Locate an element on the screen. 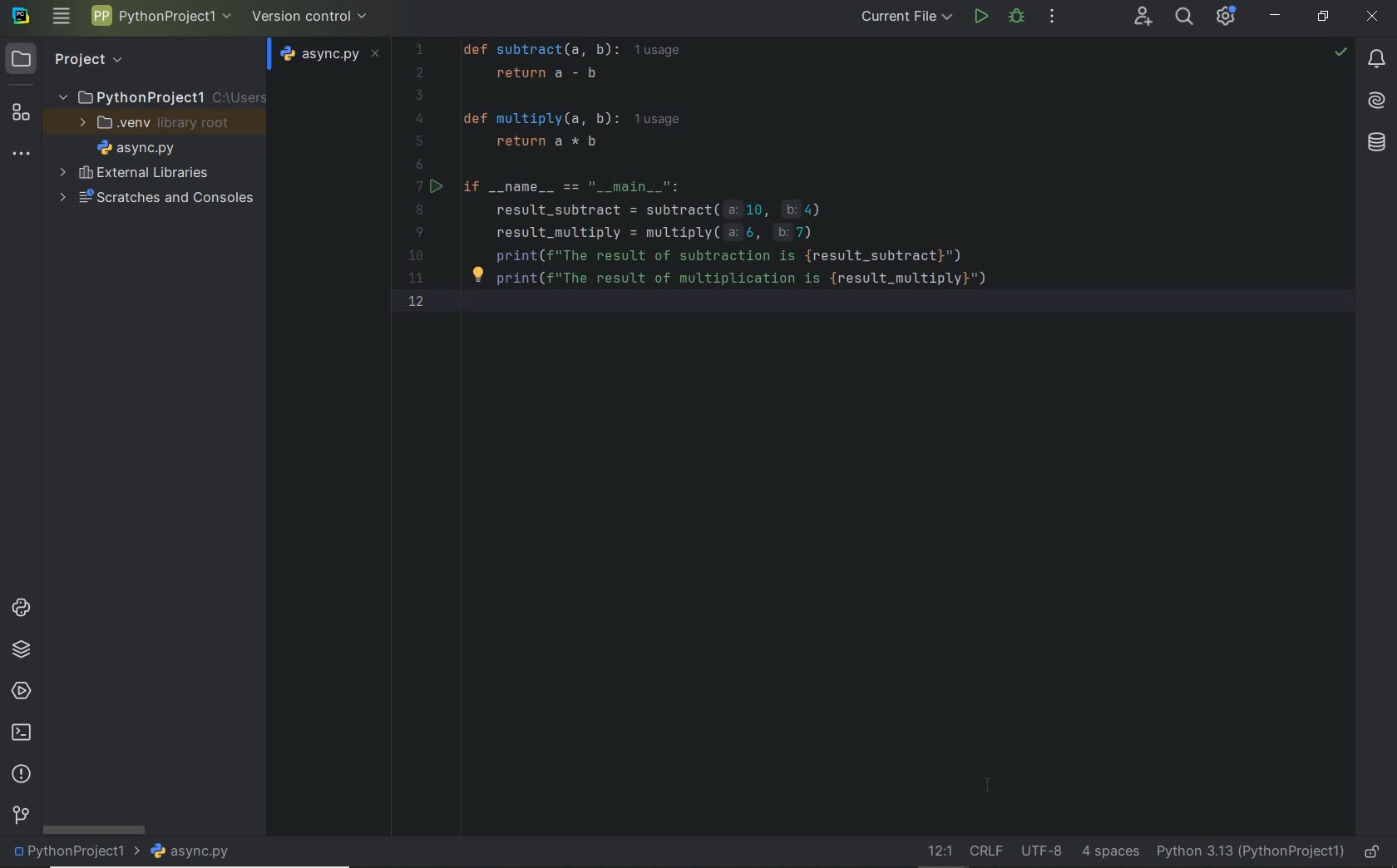 This screenshot has height=868, width=1397. search everywhere is located at coordinates (1185, 17).